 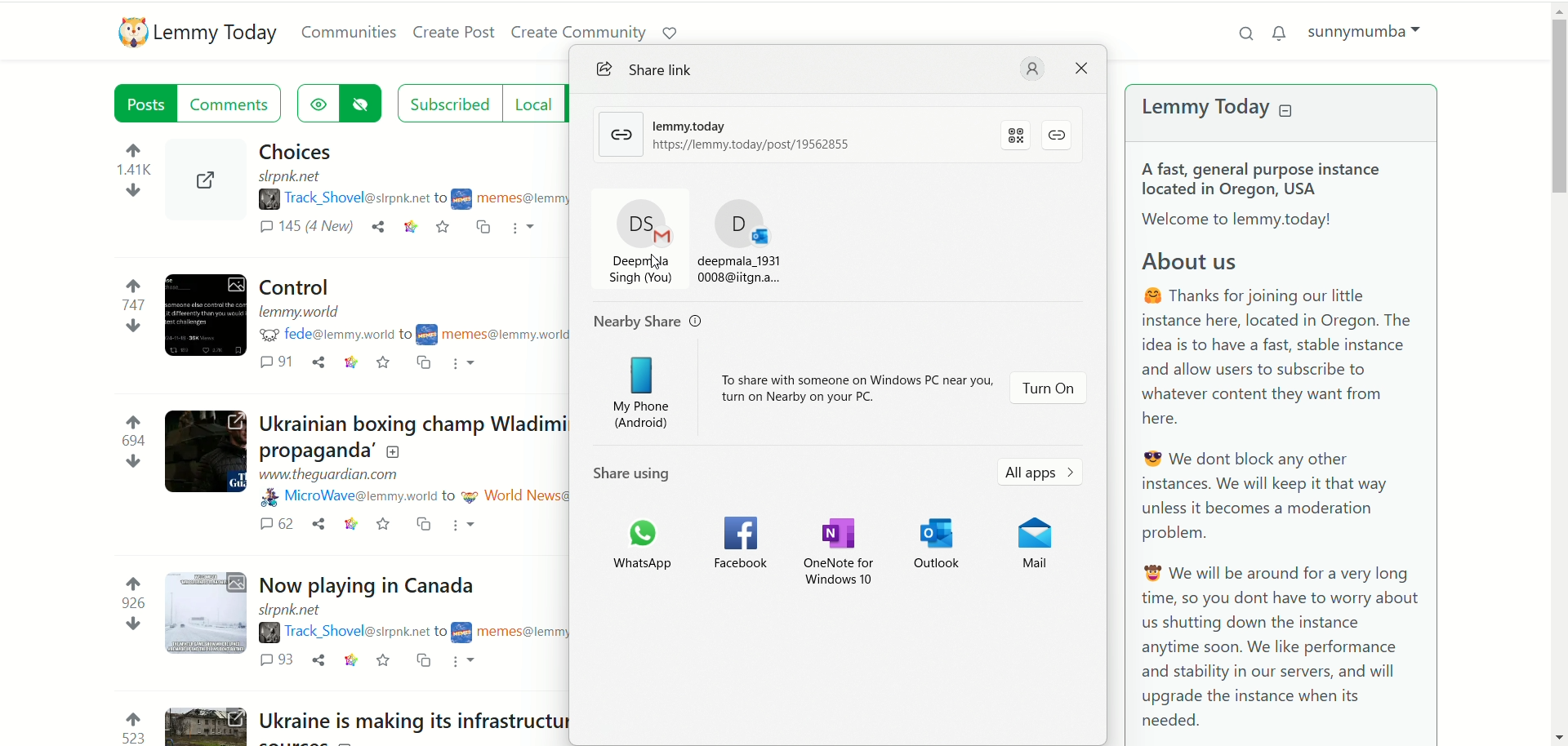 I want to click on show hidden posts, so click(x=315, y=104).